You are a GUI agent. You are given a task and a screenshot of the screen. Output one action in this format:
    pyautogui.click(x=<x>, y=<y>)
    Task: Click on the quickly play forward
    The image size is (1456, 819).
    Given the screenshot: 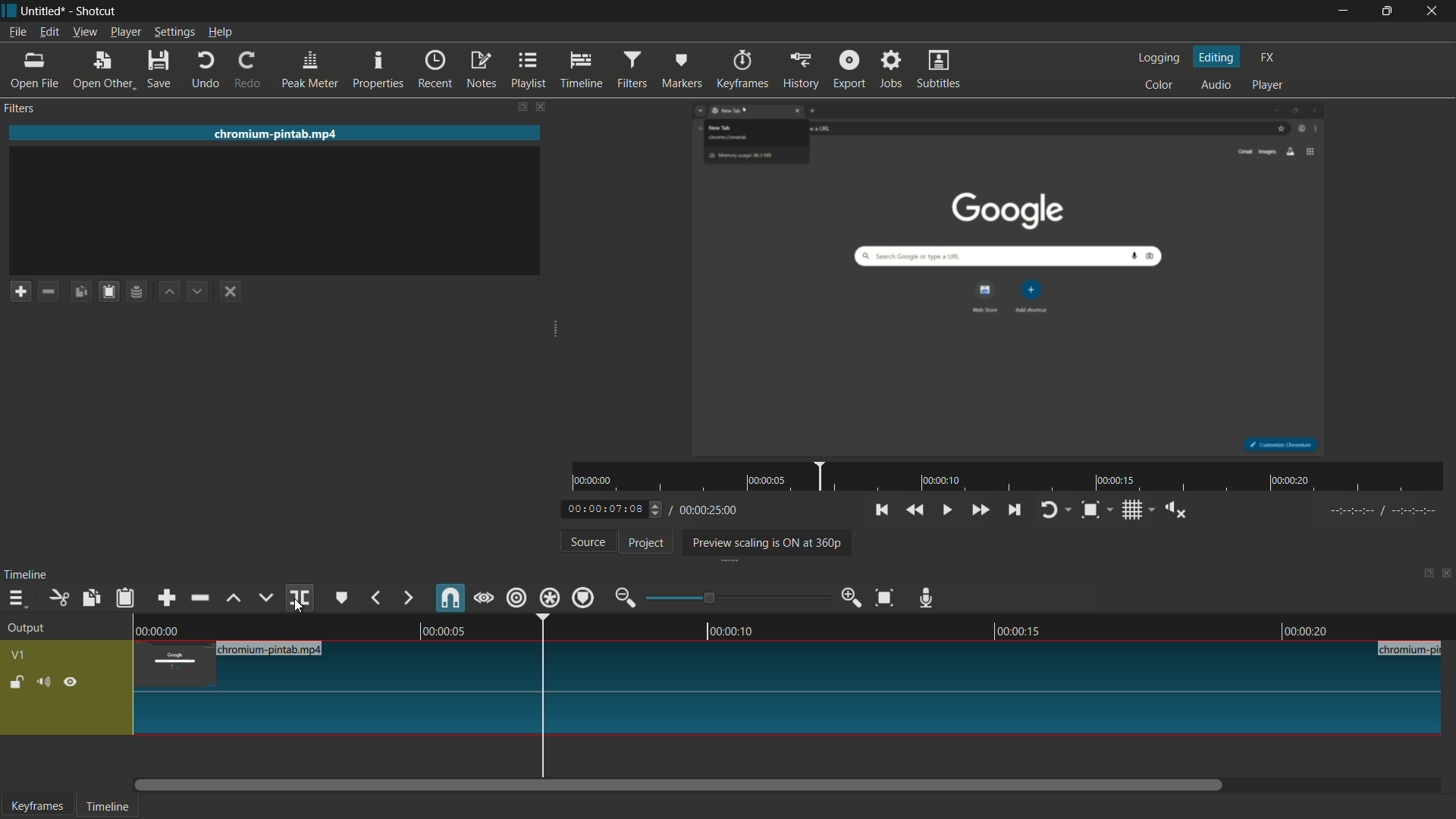 What is the action you would take?
    pyautogui.click(x=980, y=510)
    